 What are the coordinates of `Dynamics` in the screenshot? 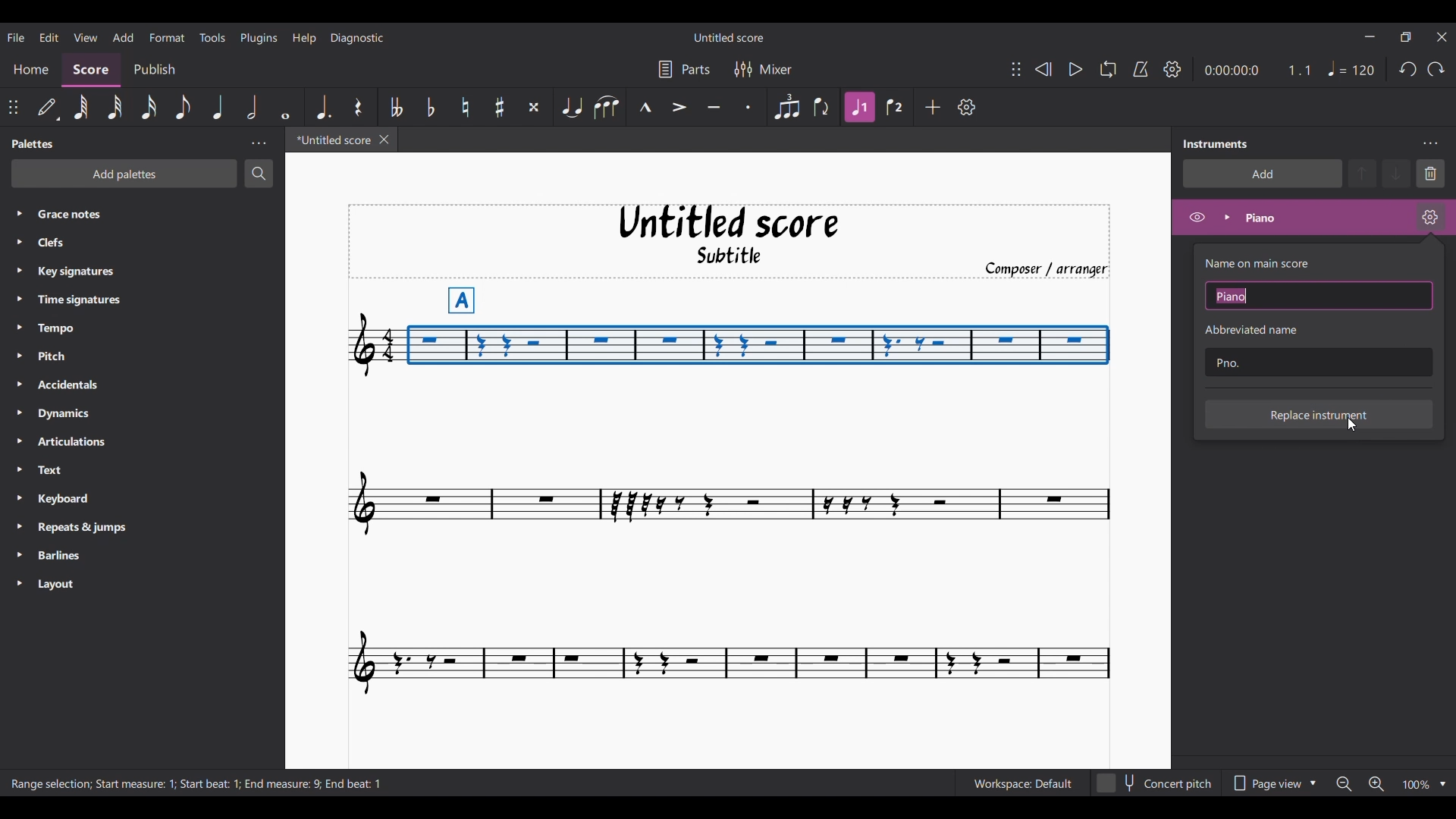 It's located at (90, 415).